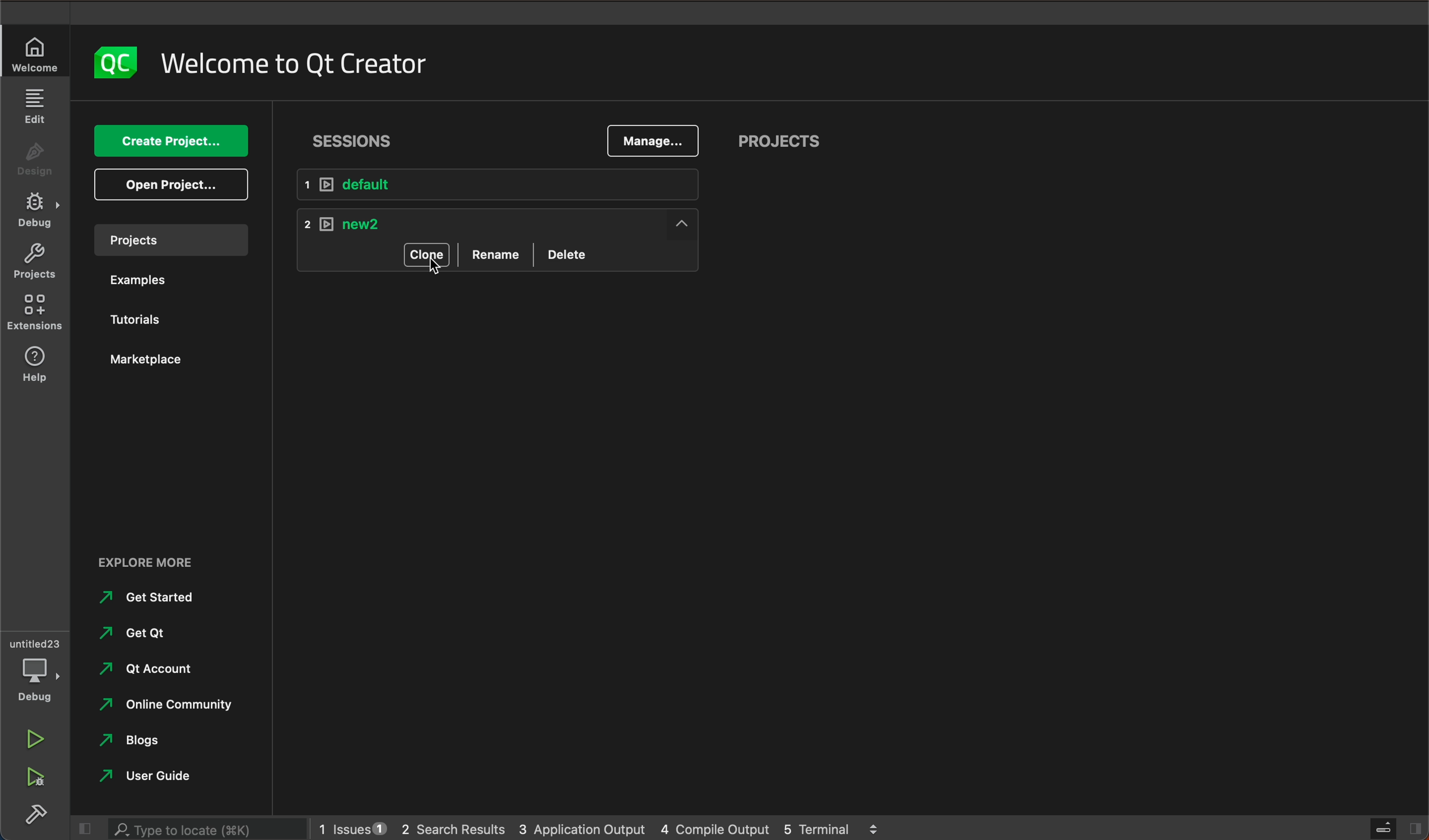 The width and height of the screenshot is (1429, 840). I want to click on sessions, so click(353, 142).